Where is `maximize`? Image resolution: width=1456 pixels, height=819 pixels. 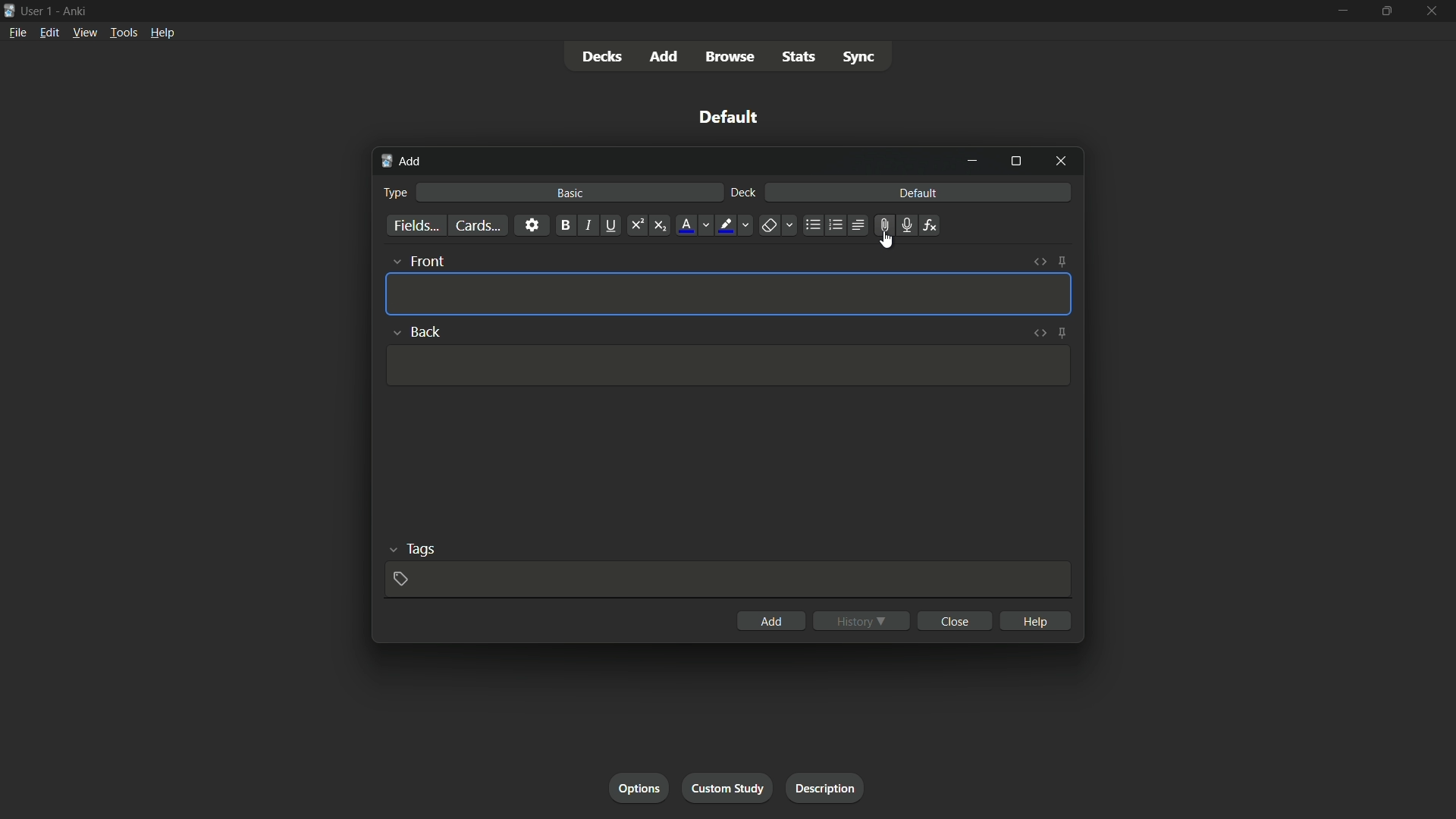
maximize is located at coordinates (1387, 11).